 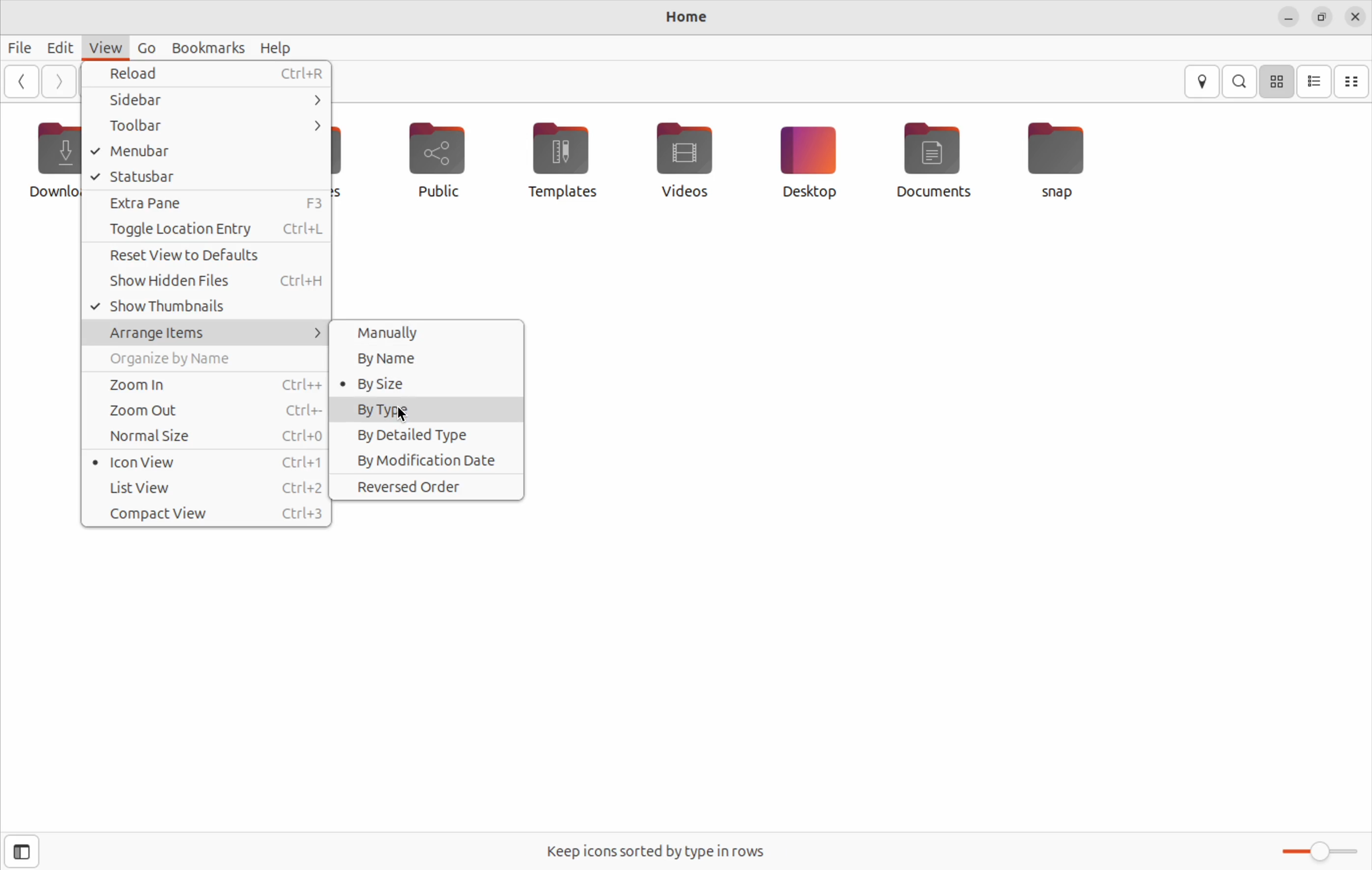 I want to click on list view, so click(x=1314, y=82).